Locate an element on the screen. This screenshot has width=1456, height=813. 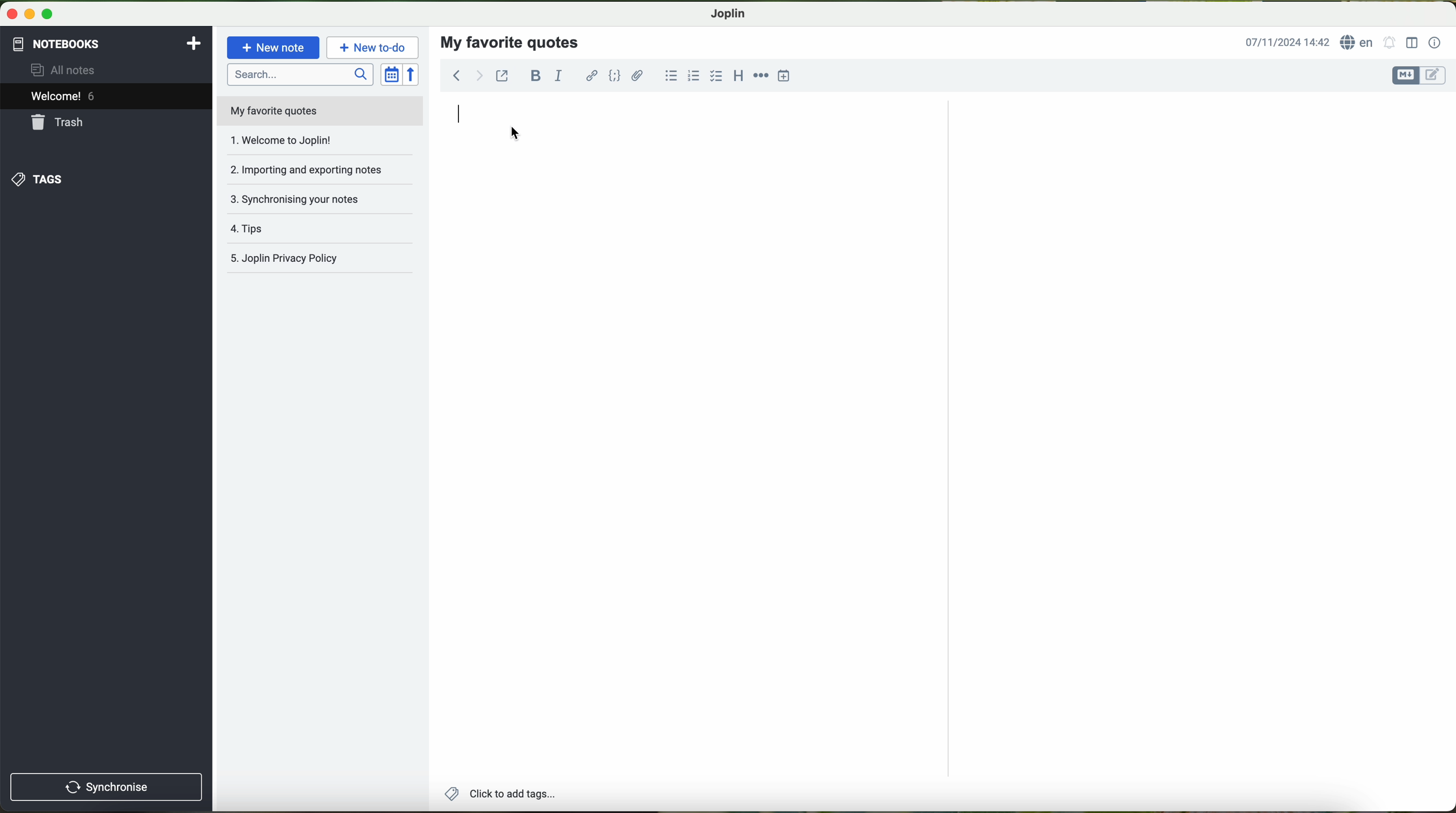
cursor is located at coordinates (523, 131).